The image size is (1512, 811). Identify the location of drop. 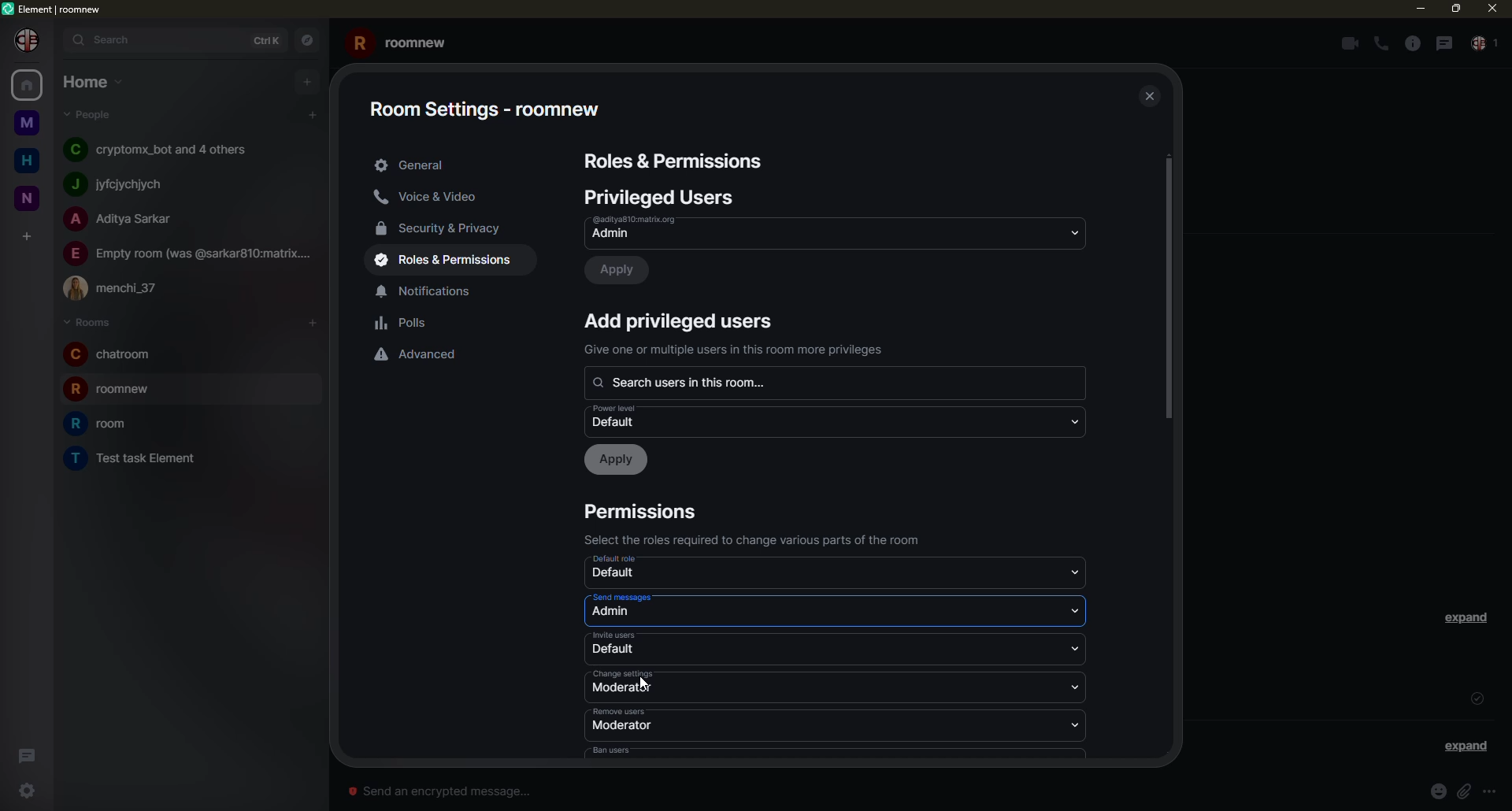
(1080, 610).